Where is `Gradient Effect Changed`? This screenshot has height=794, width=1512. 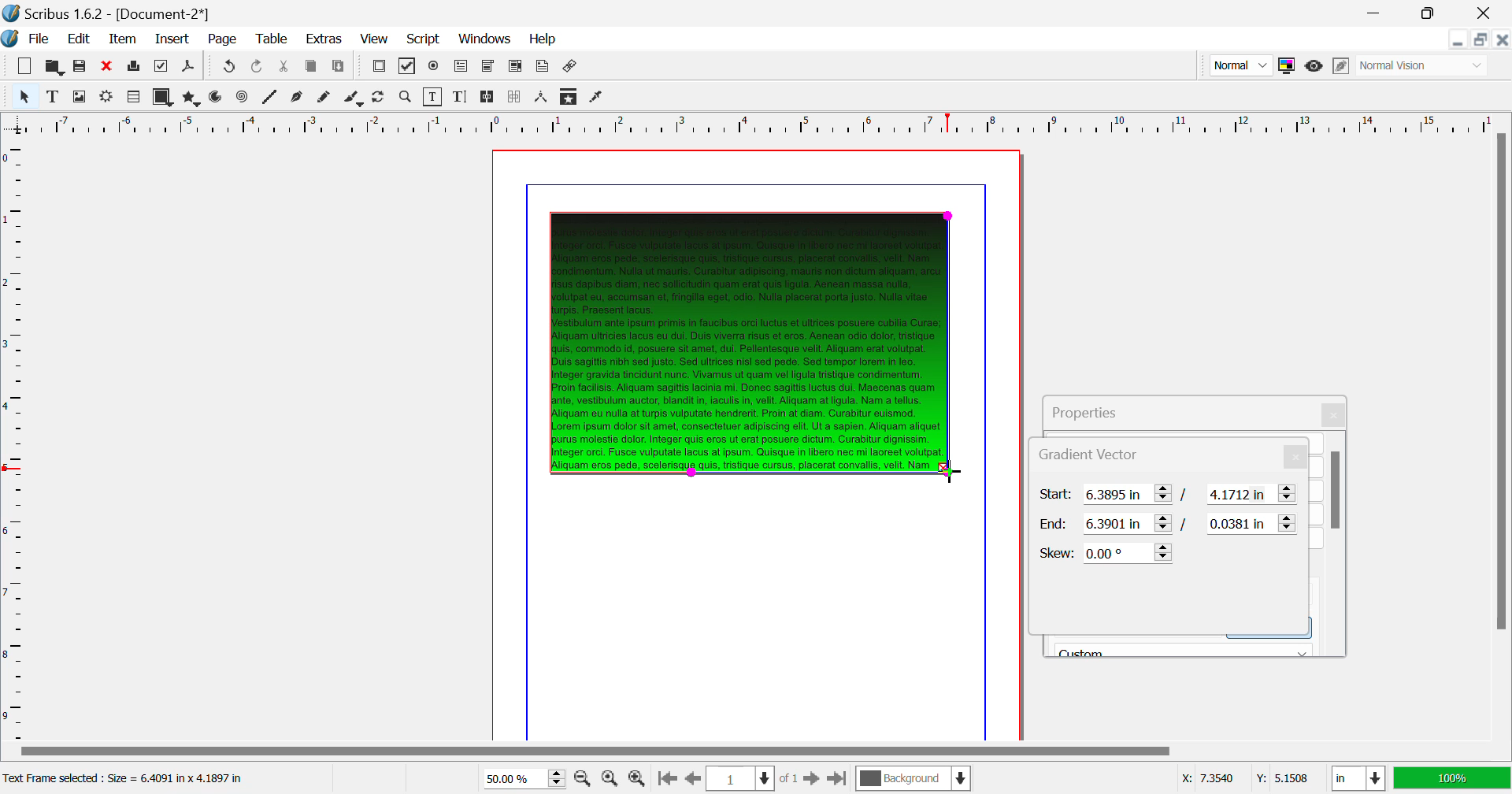 Gradient Effect Changed is located at coordinates (747, 343).